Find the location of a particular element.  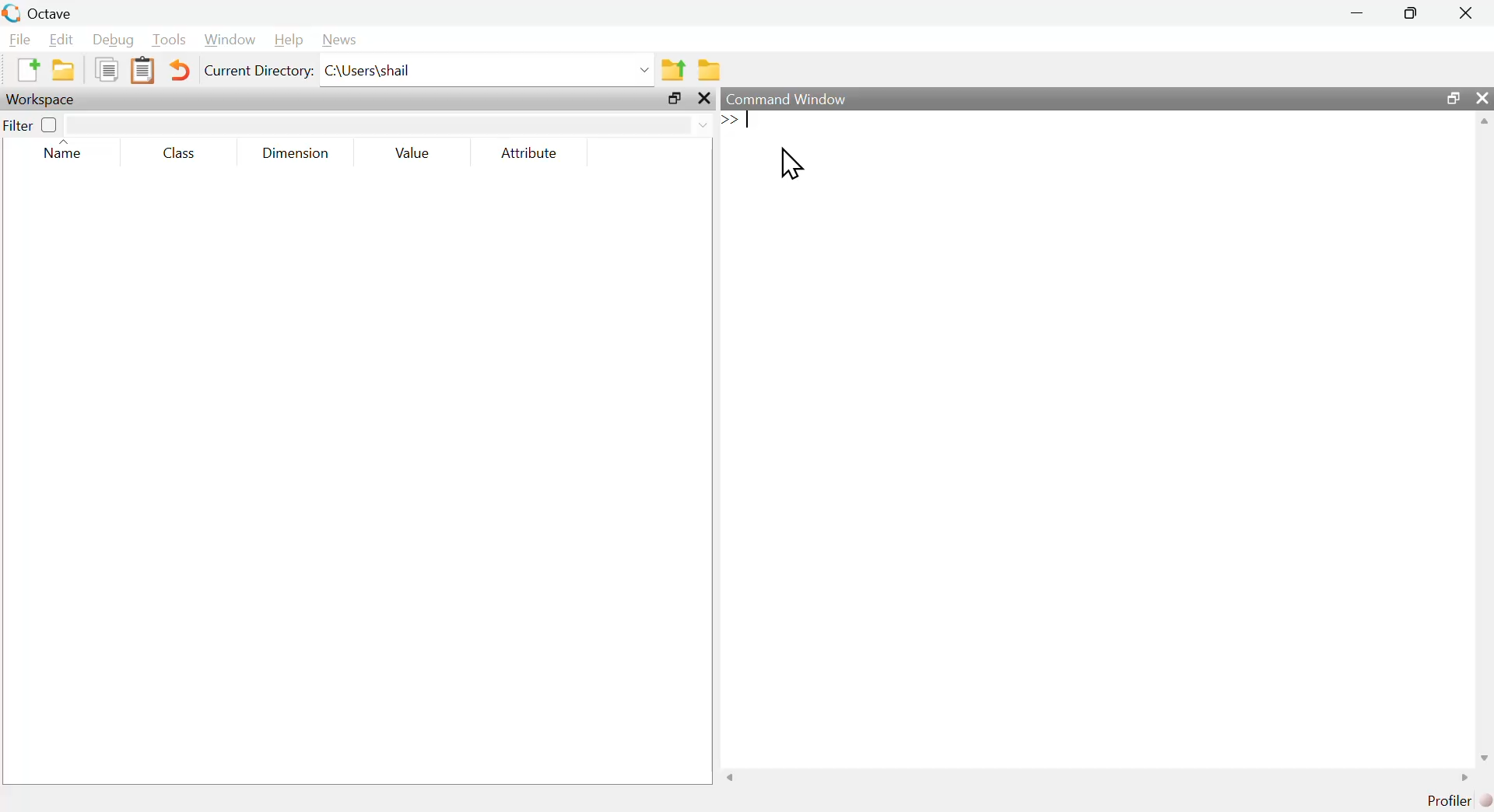

documents is located at coordinates (108, 71).